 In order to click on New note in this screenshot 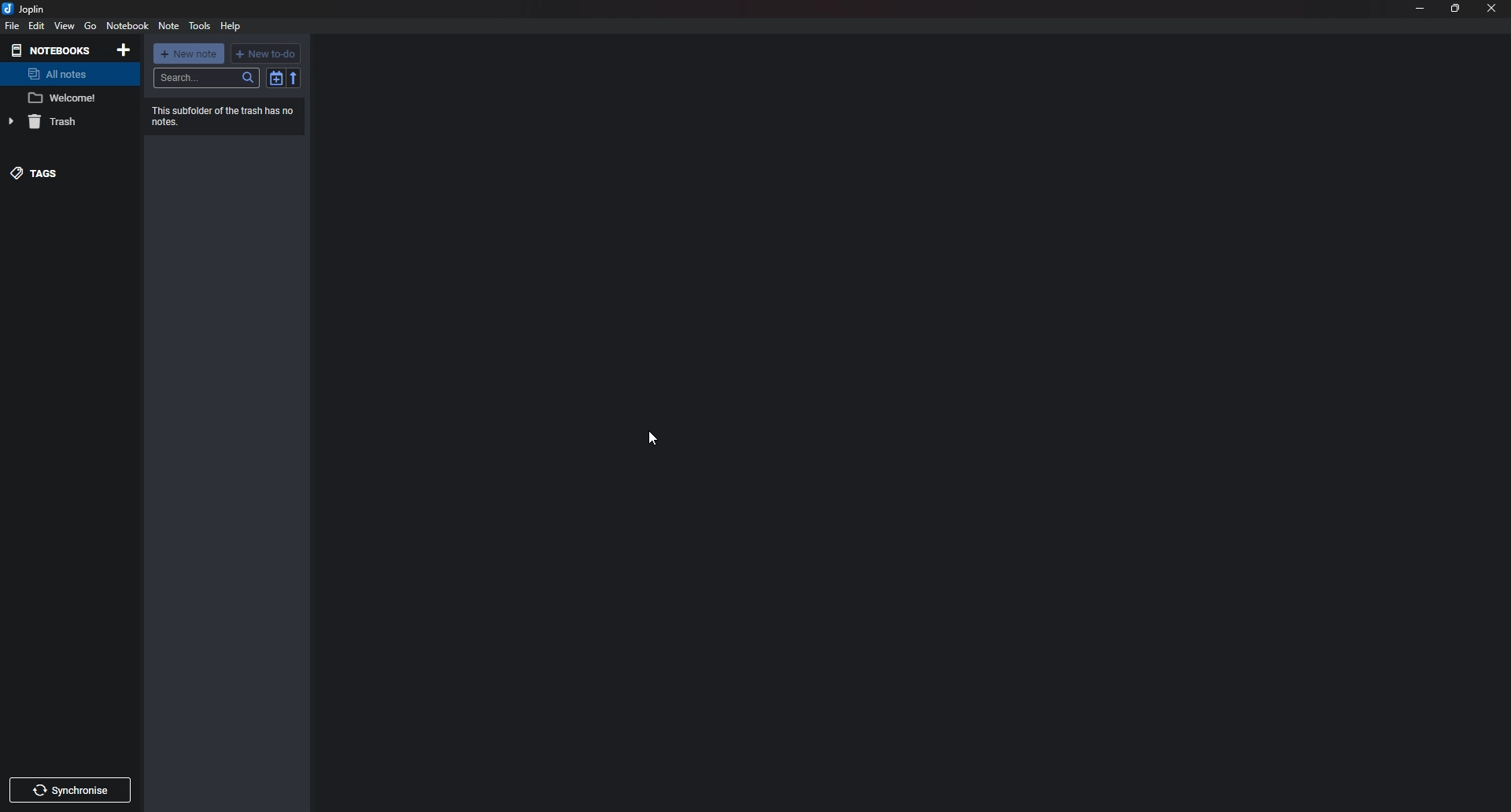, I will do `click(189, 54)`.